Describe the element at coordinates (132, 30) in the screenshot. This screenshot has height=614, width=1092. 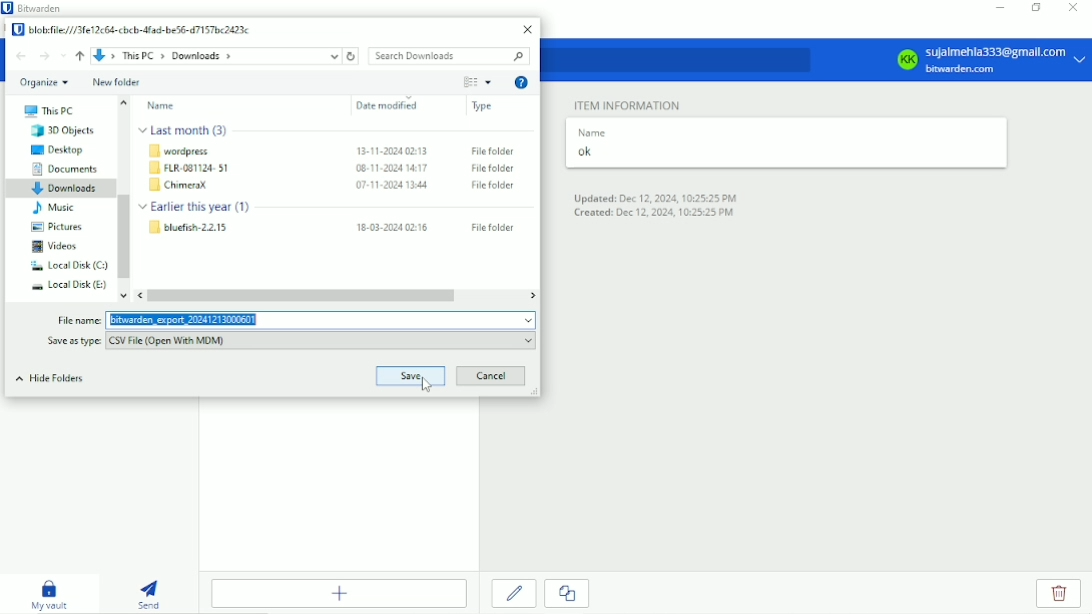
I see `blob:file///3fe12c64-cbcb-4fad-be56-d7157bc2423c` at that location.